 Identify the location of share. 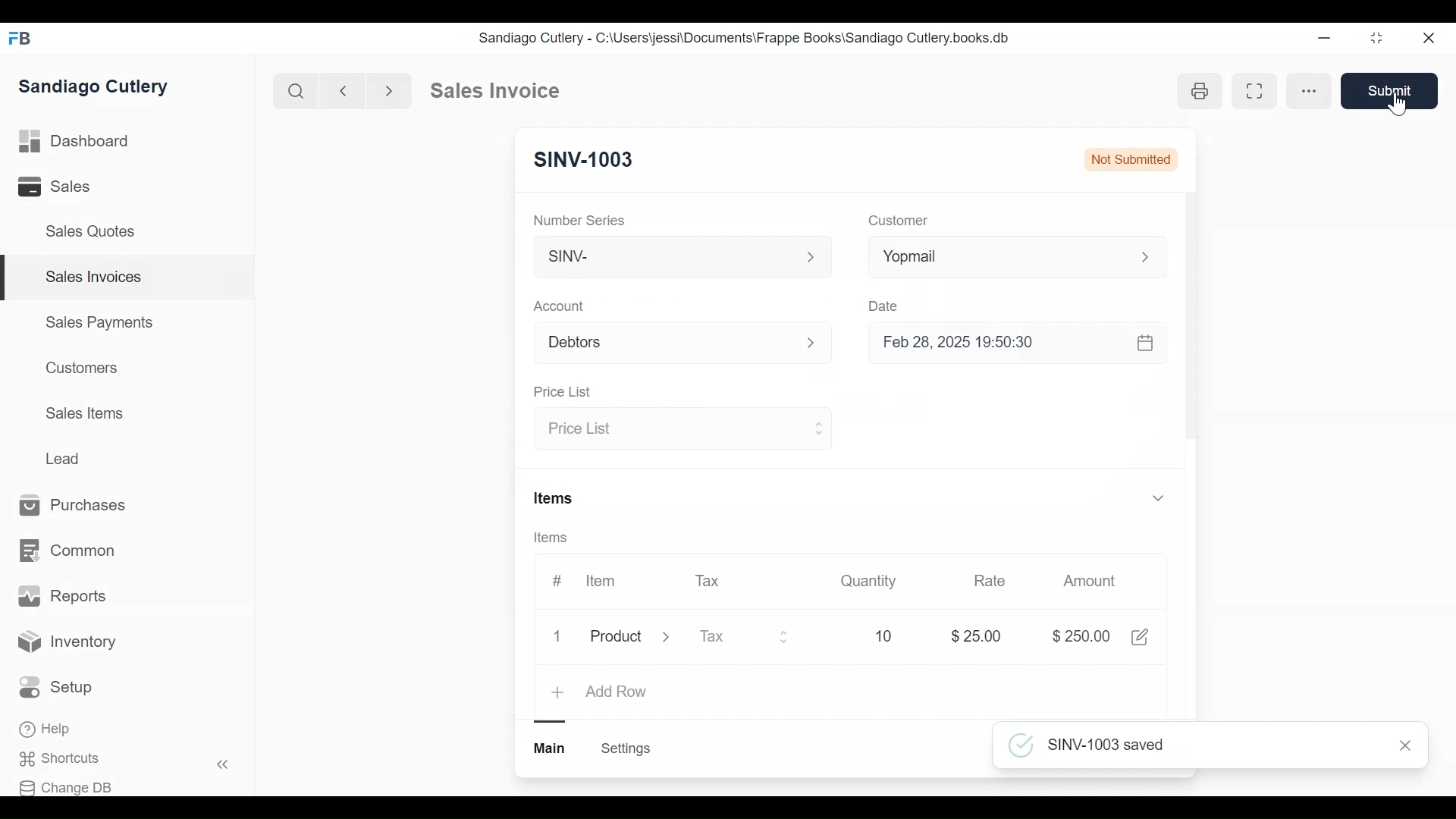
(1144, 637).